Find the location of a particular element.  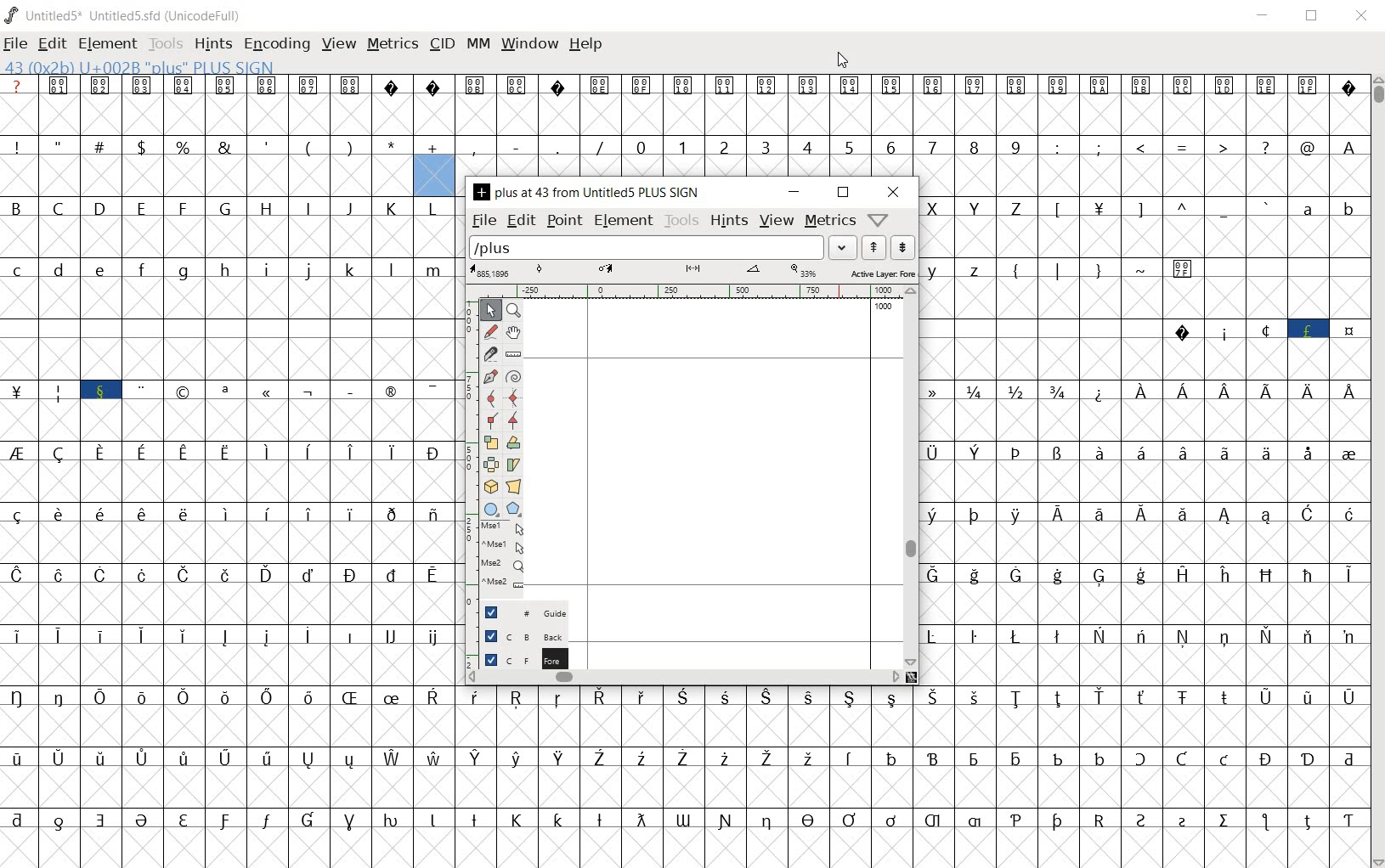

mm is located at coordinates (476, 42).